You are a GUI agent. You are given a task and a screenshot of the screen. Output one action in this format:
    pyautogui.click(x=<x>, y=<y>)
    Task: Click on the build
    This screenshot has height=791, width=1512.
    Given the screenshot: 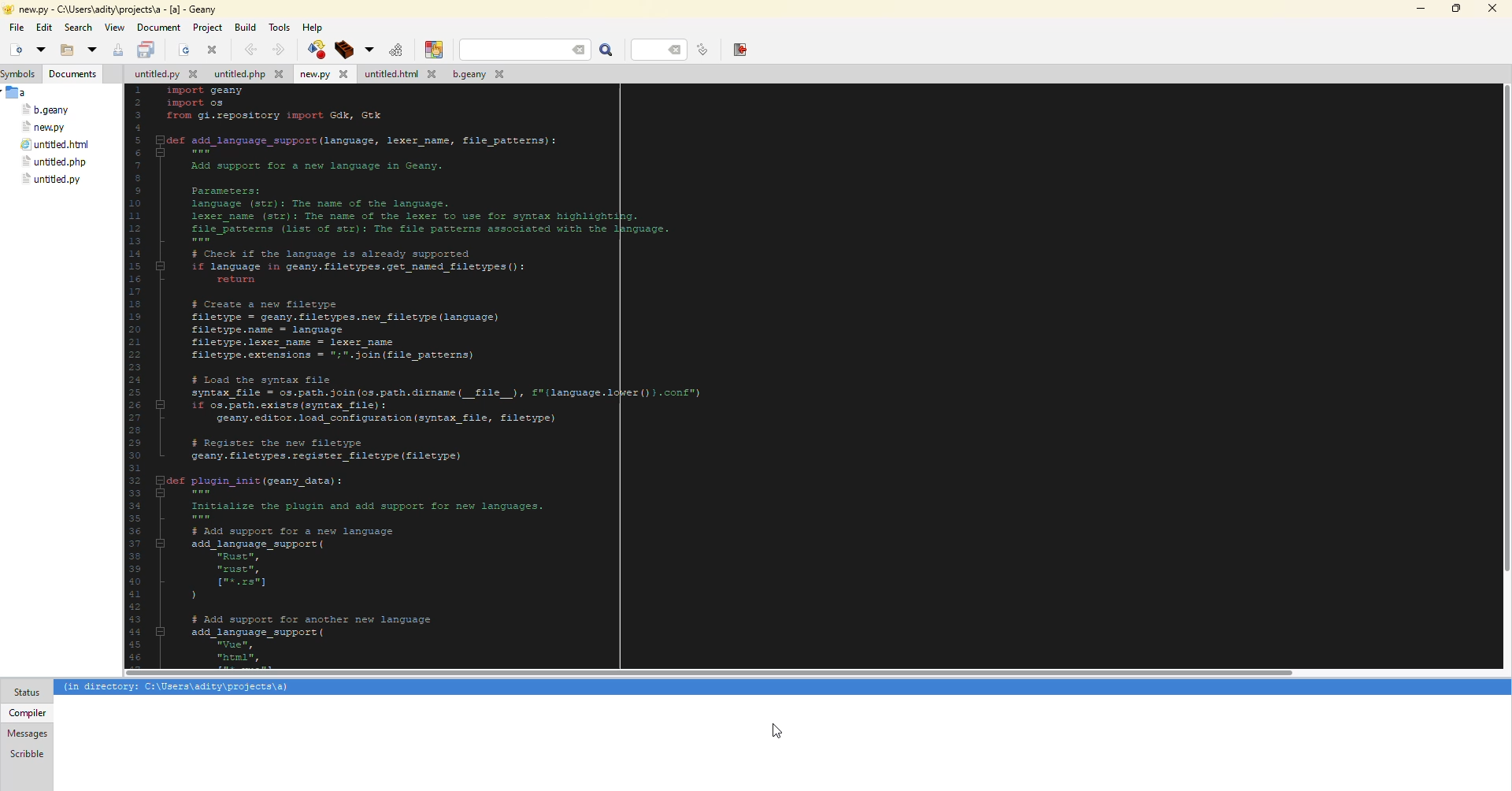 What is the action you would take?
    pyautogui.click(x=345, y=50)
    